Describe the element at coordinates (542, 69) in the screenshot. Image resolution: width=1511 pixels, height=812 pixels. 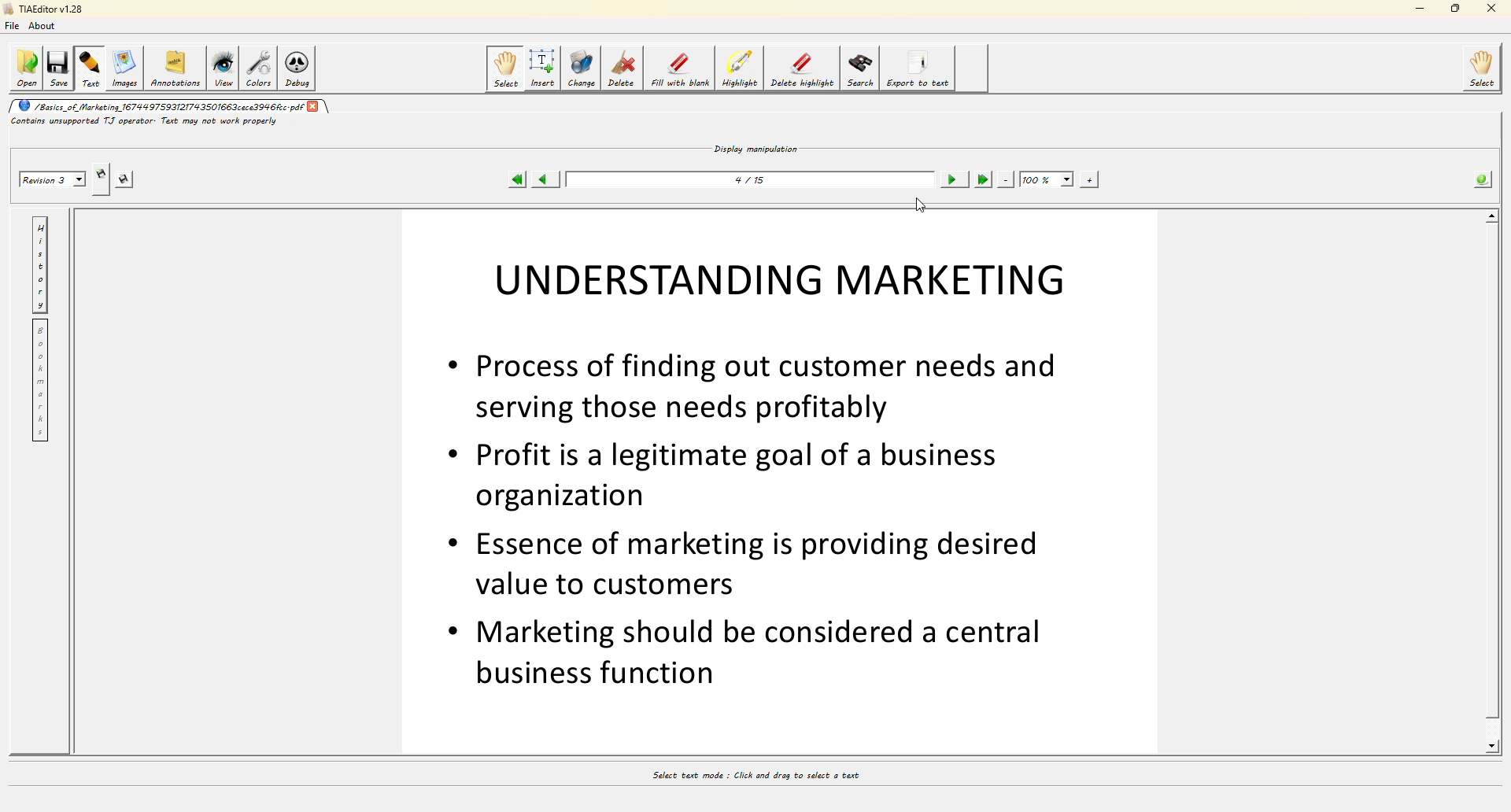
I see `insert` at that location.